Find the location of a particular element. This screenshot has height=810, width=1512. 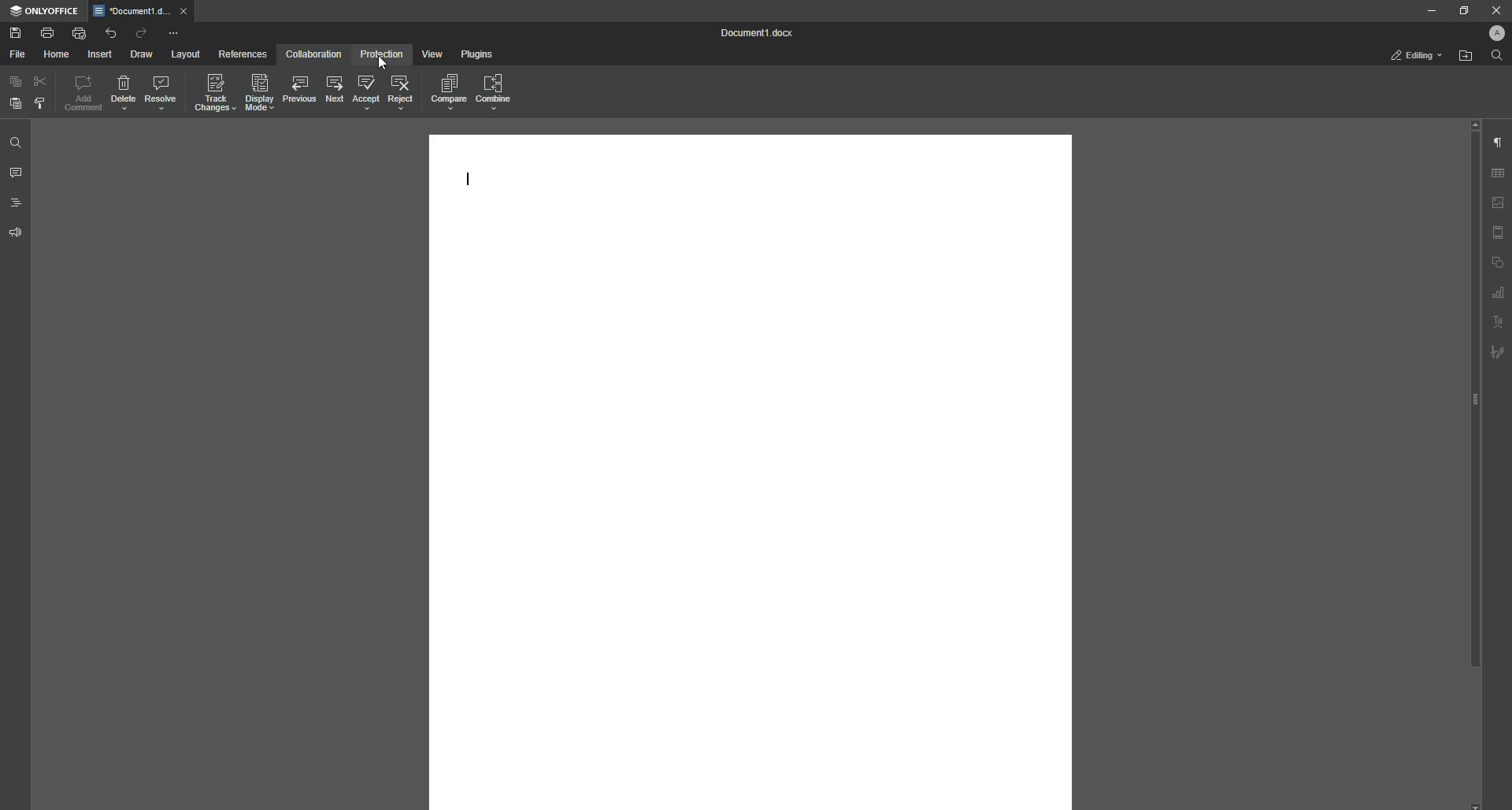

Cut is located at coordinates (42, 84).